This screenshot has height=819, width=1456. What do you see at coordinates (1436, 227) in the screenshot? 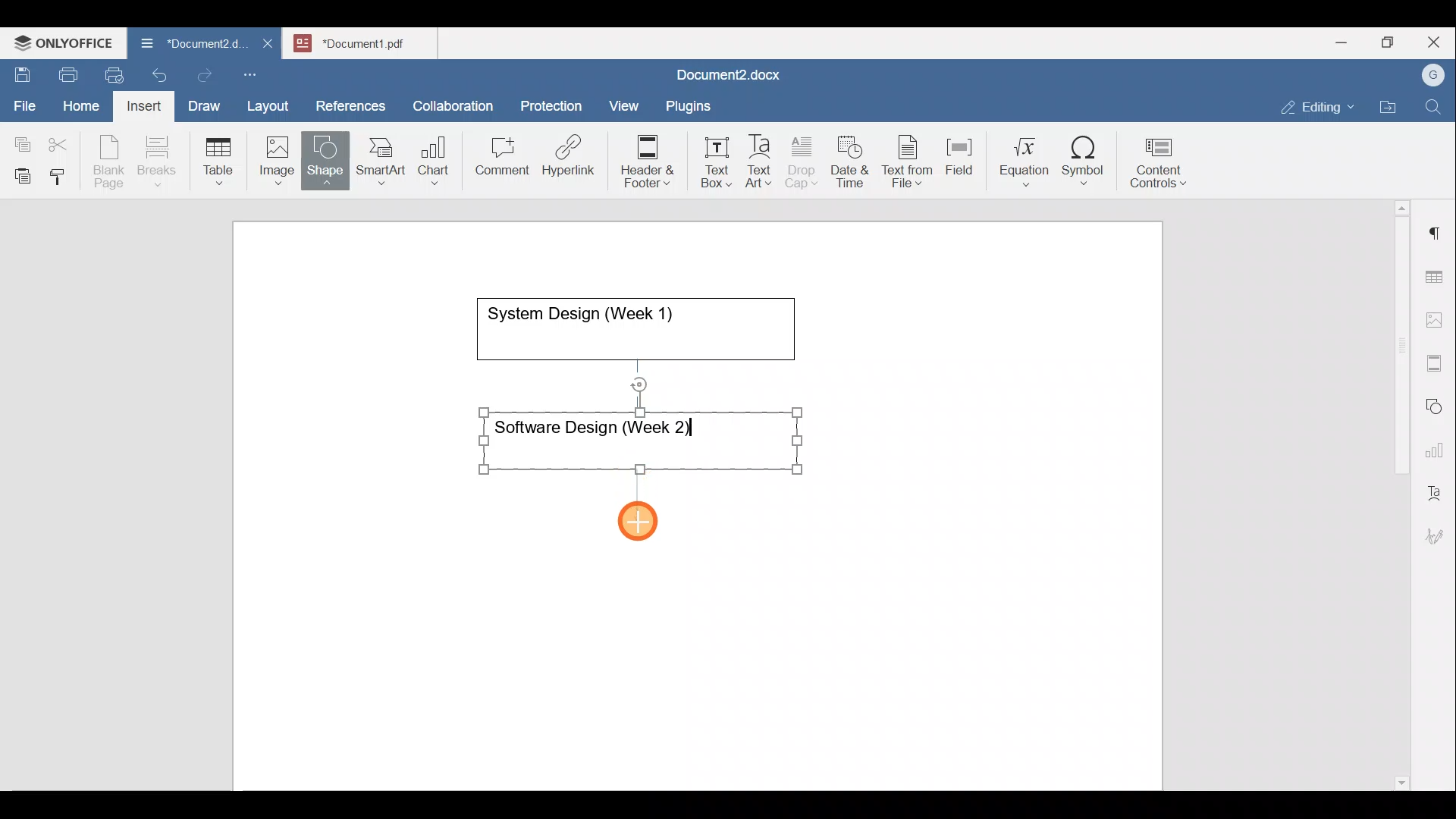
I see `Paragraph settings` at bounding box center [1436, 227].